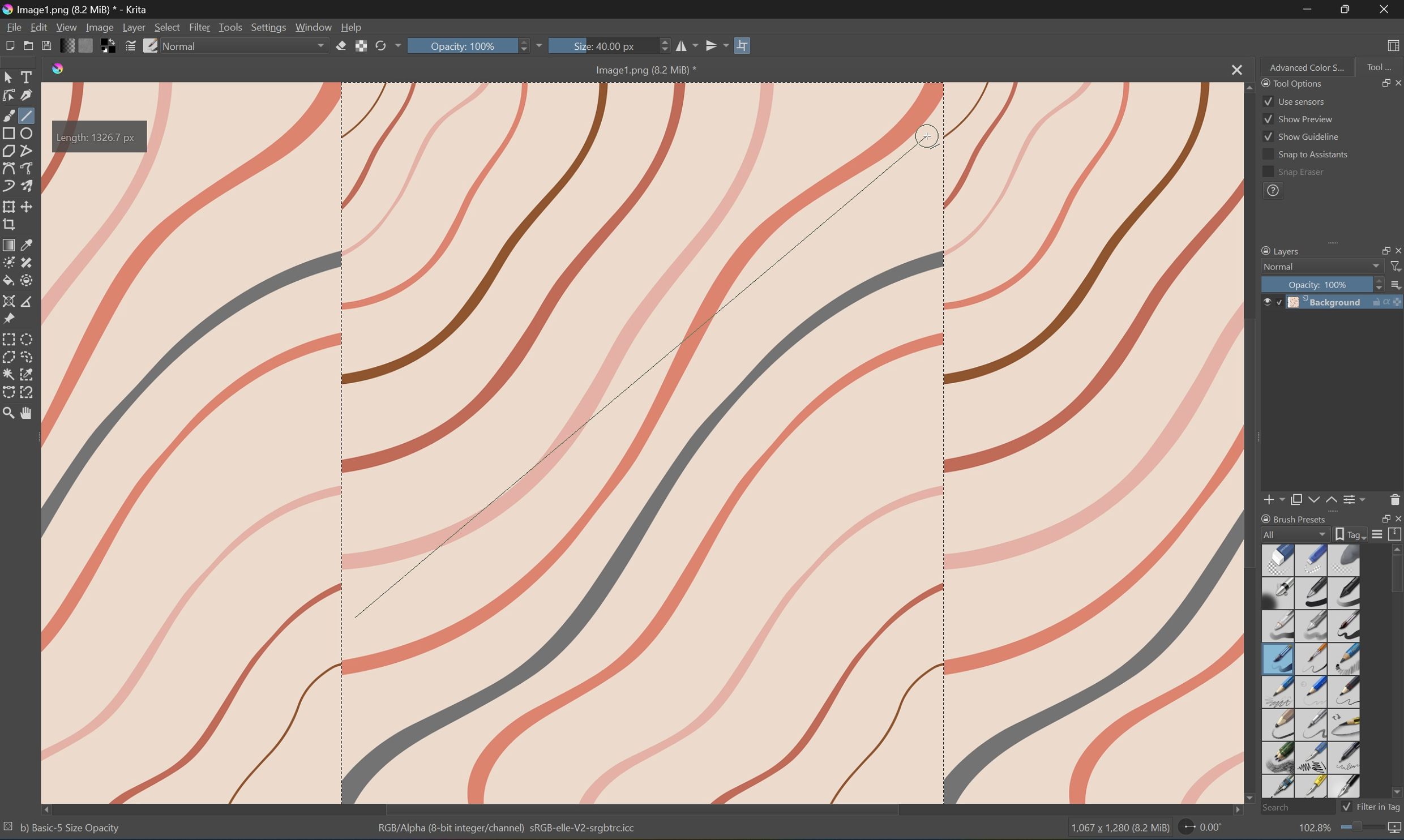  What do you see at coordinates (28, 76) in the screenshot?
I see `Select Tools` at bounding box center [28, 76].